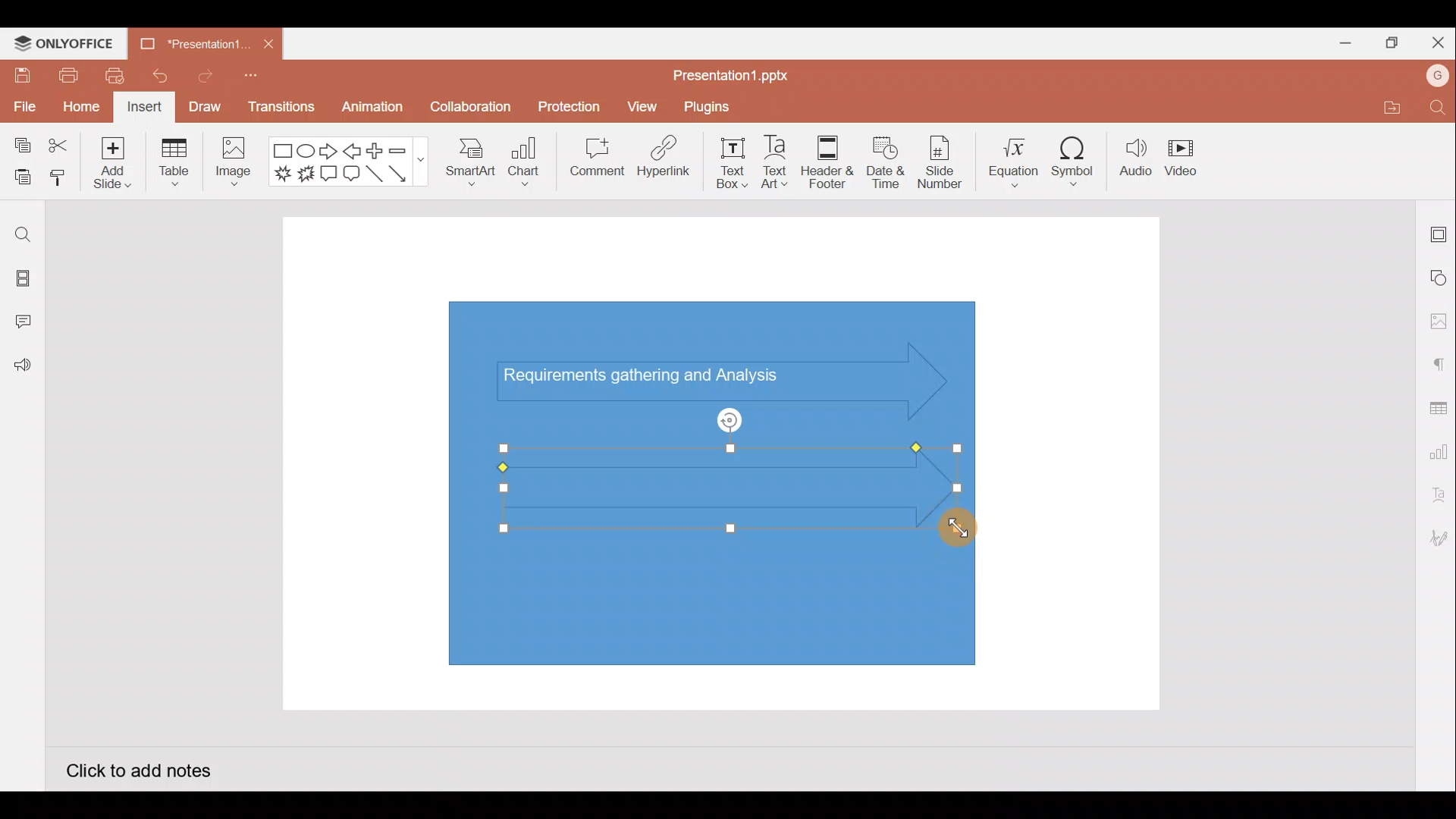 Image resolution: width=1456 pixels, height=819 pixels. What do you see at coordinates (306, 174) in the screenshot?
I see `Explosion 2` at bounding box center [306, 174].